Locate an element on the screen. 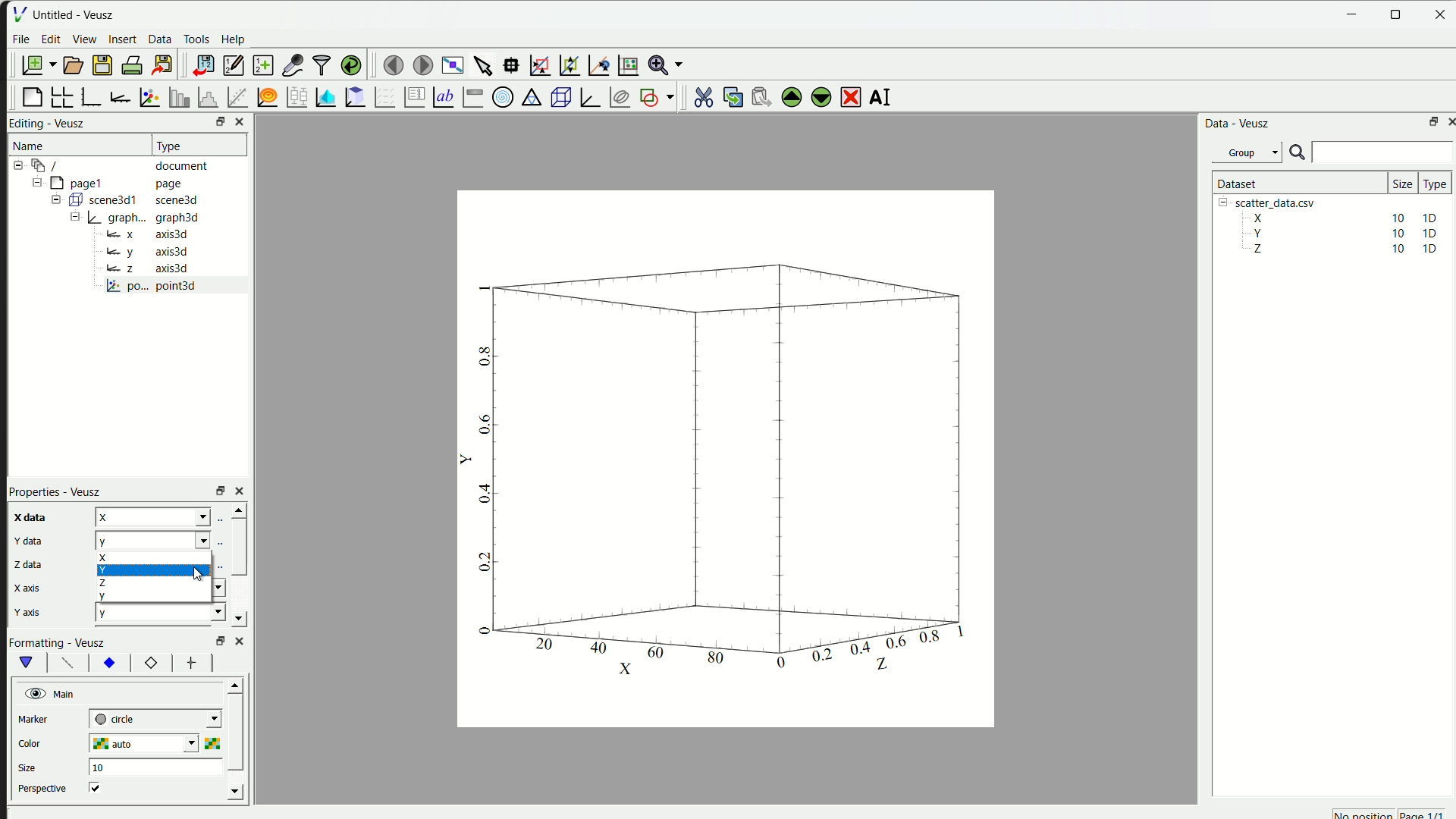 The height and width of the screenshot is (819, 1456). y is located at coordinates (160, 613).